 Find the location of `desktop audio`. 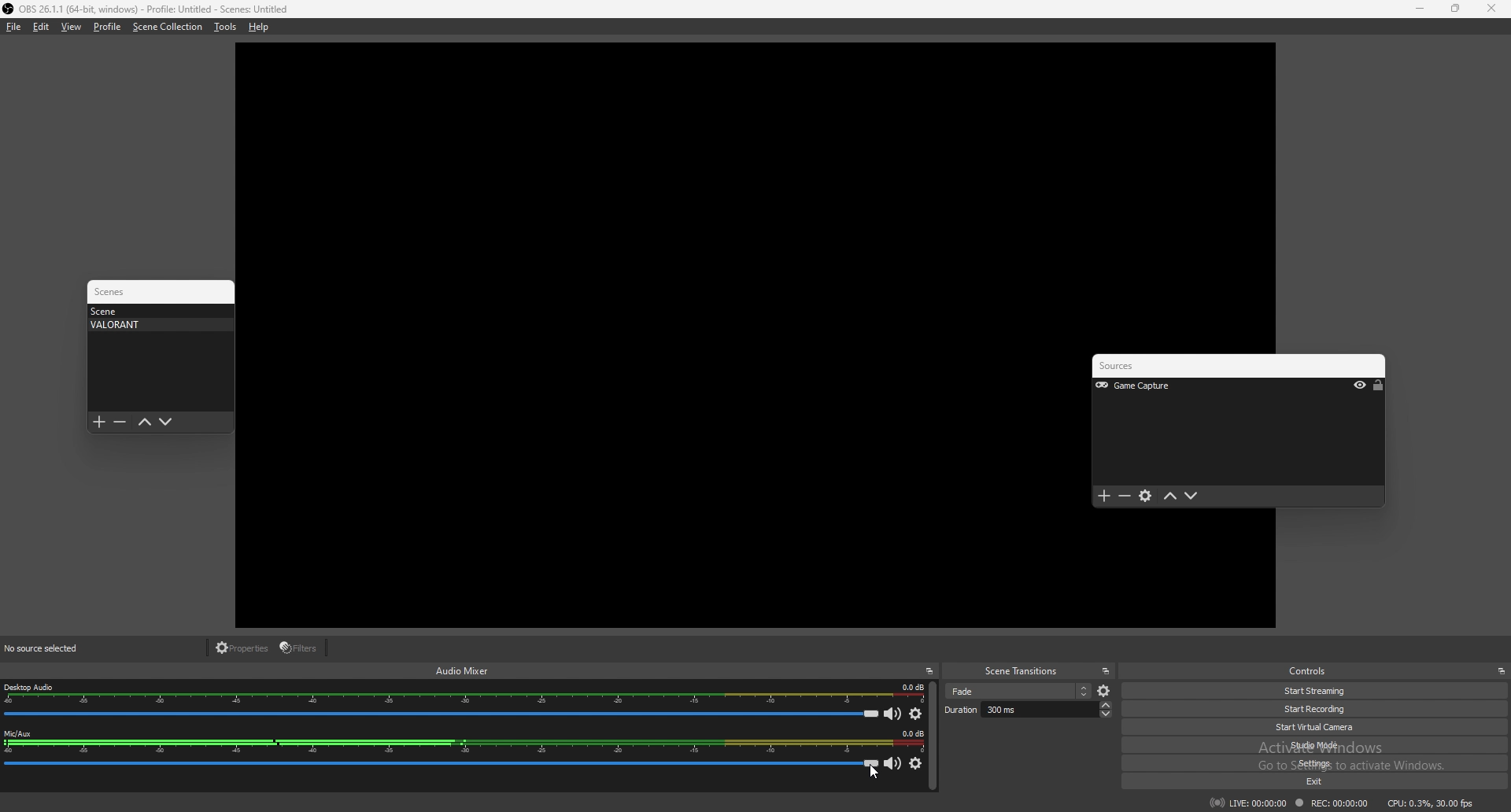

desktop audio is located at coordinates (464, 694).